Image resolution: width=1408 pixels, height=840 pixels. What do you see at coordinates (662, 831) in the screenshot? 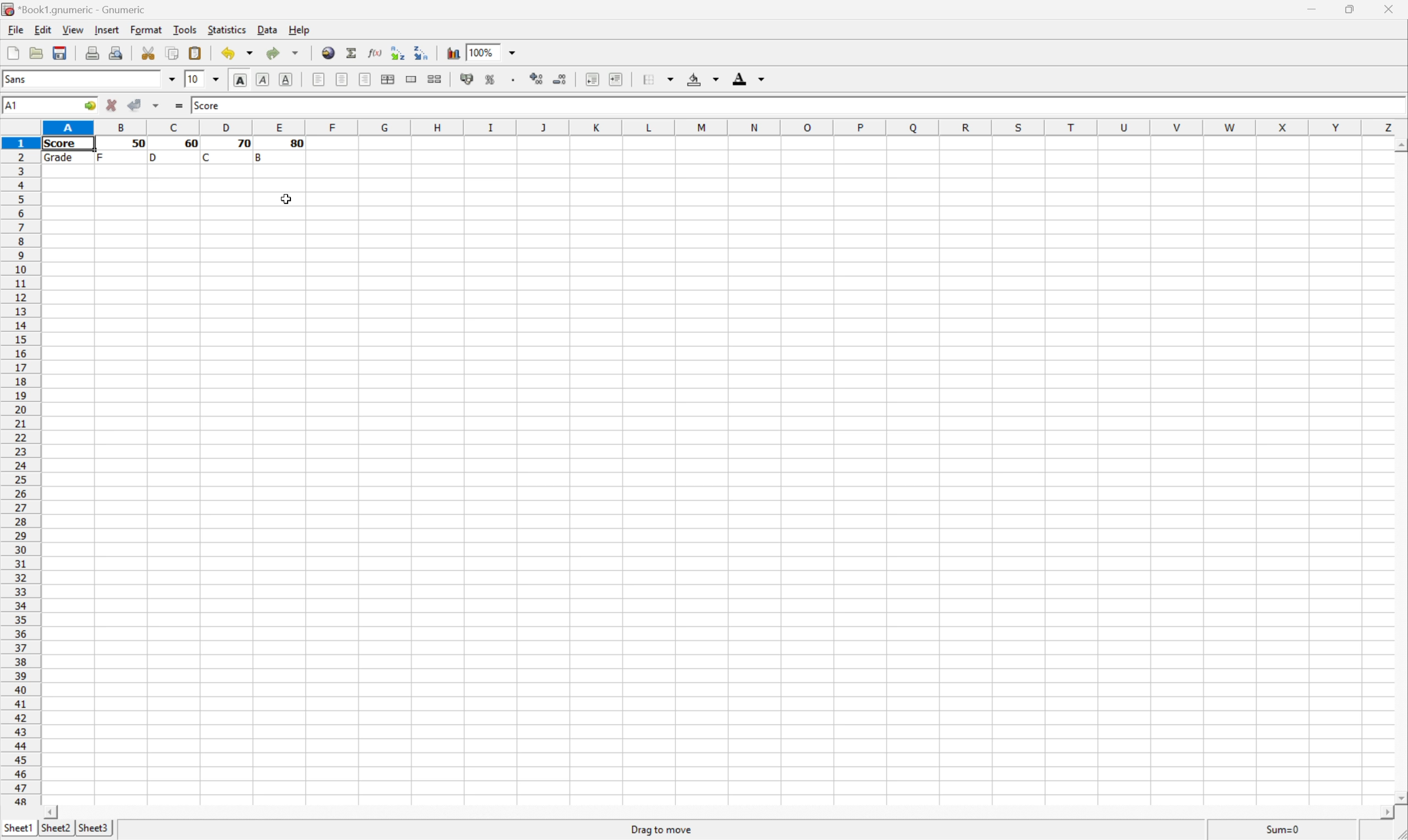
I see `Drag to move` at bounding box center [662, 831].